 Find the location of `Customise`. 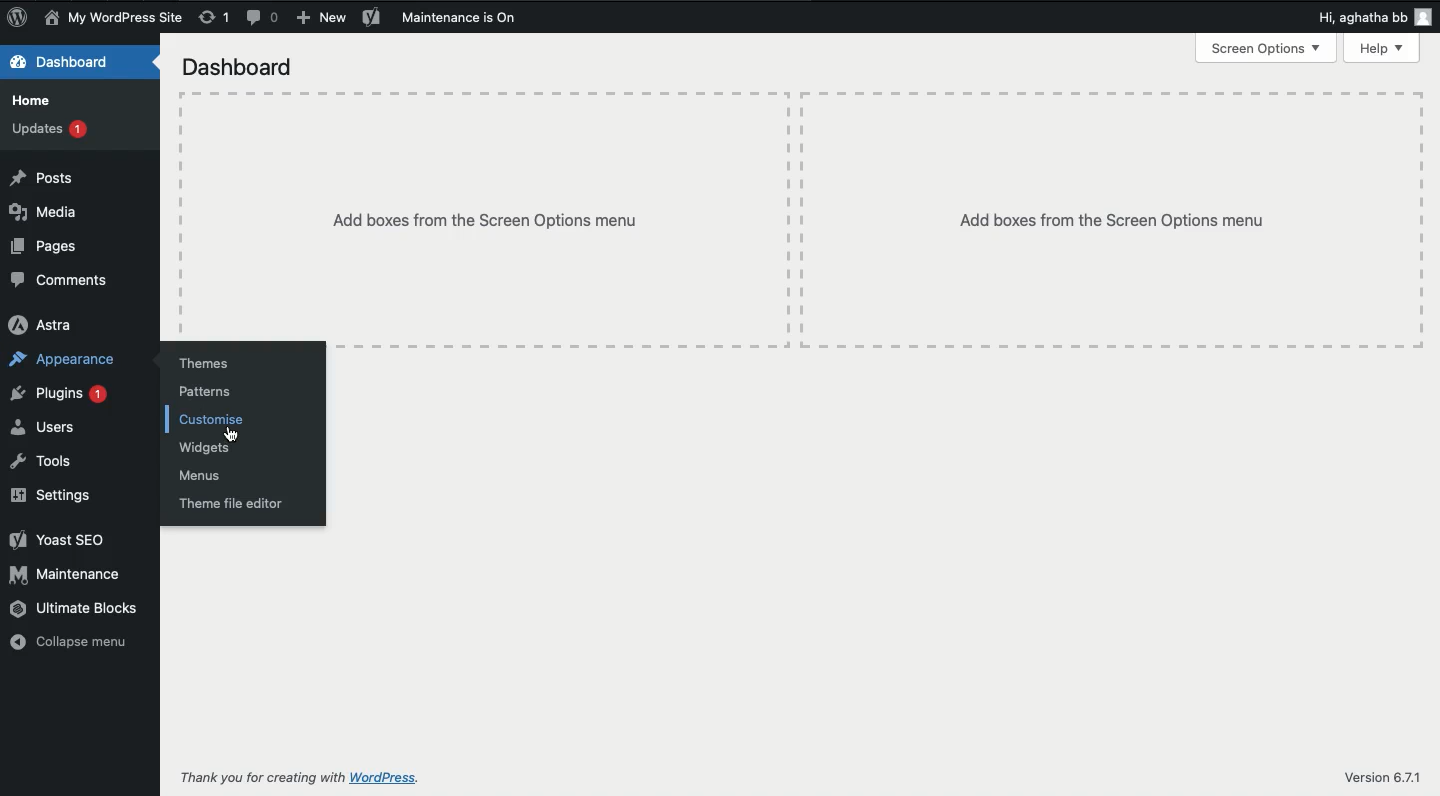

Customise is located at coordinates (212, 417).